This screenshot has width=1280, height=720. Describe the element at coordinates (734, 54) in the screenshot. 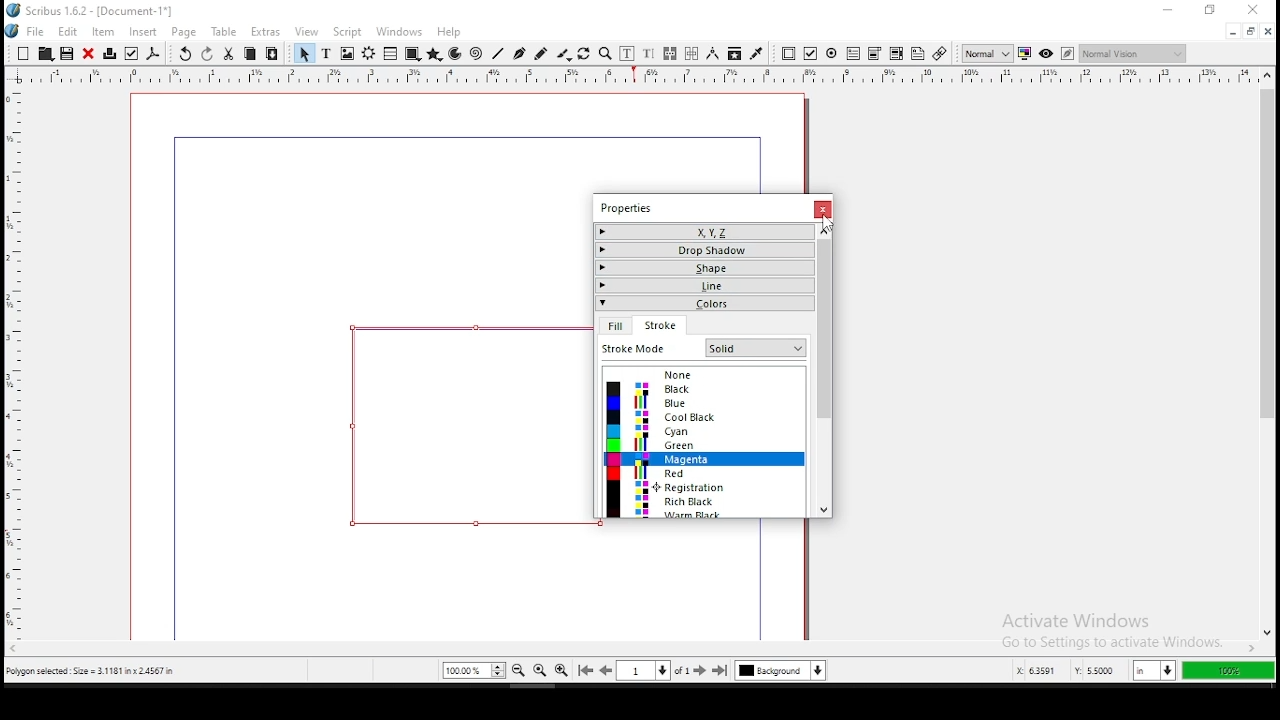

I see `copy item properties` at that location.